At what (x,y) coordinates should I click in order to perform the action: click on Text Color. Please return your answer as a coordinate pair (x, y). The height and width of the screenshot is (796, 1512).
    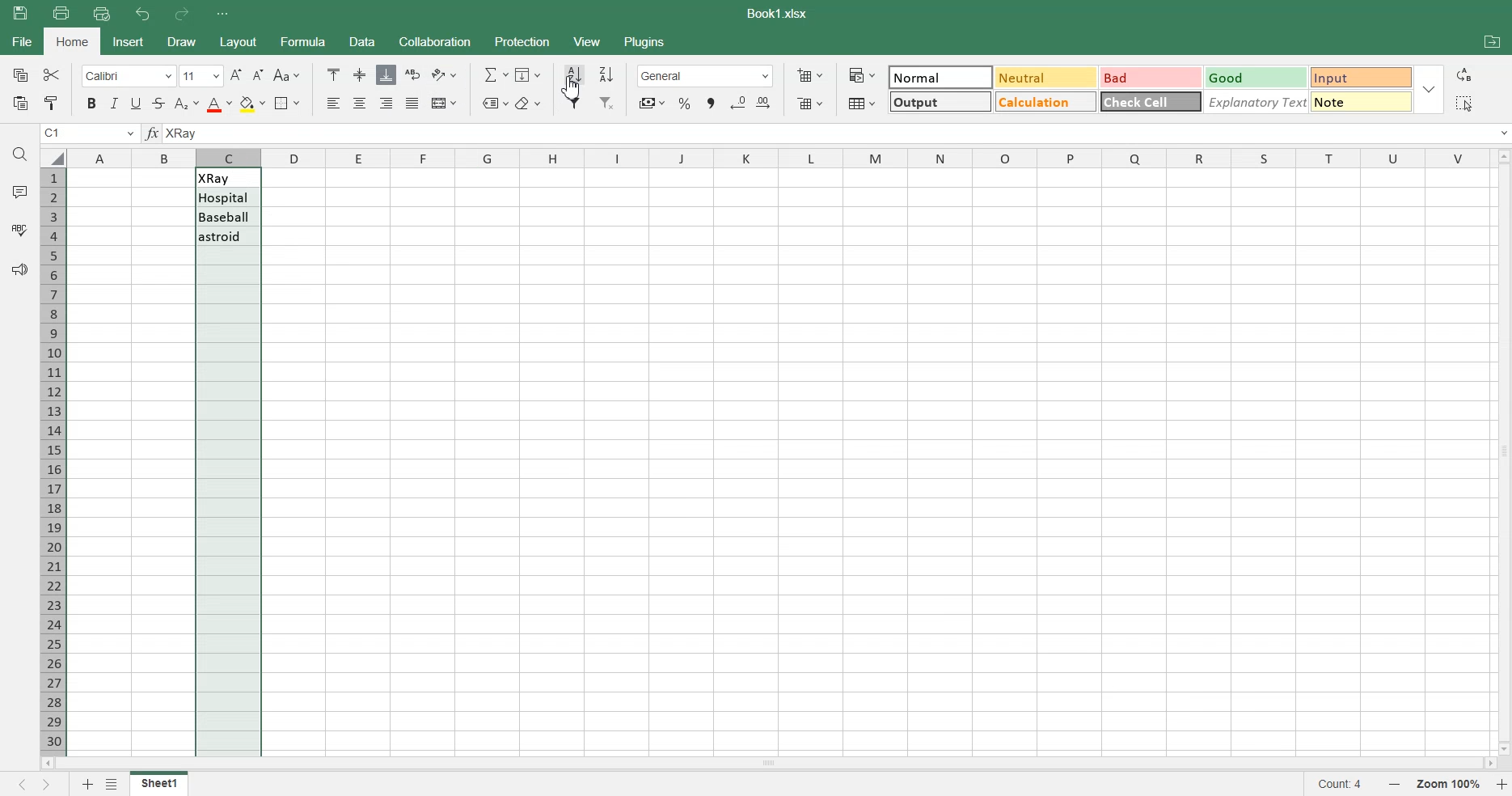
    Looking at the image, I should click on (218, 103).